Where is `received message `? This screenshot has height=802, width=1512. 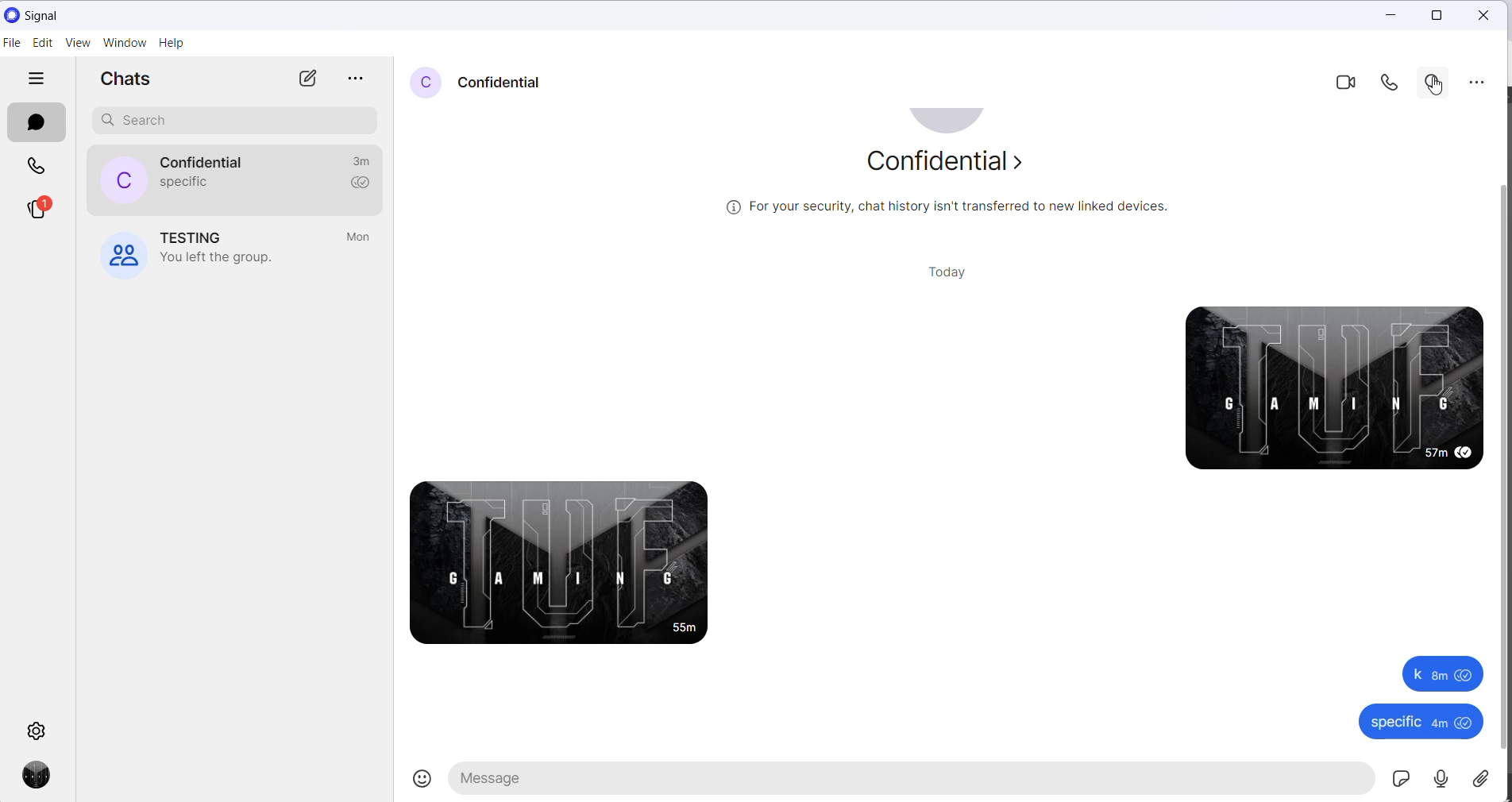
received message  is located at coordinates (574, 566).